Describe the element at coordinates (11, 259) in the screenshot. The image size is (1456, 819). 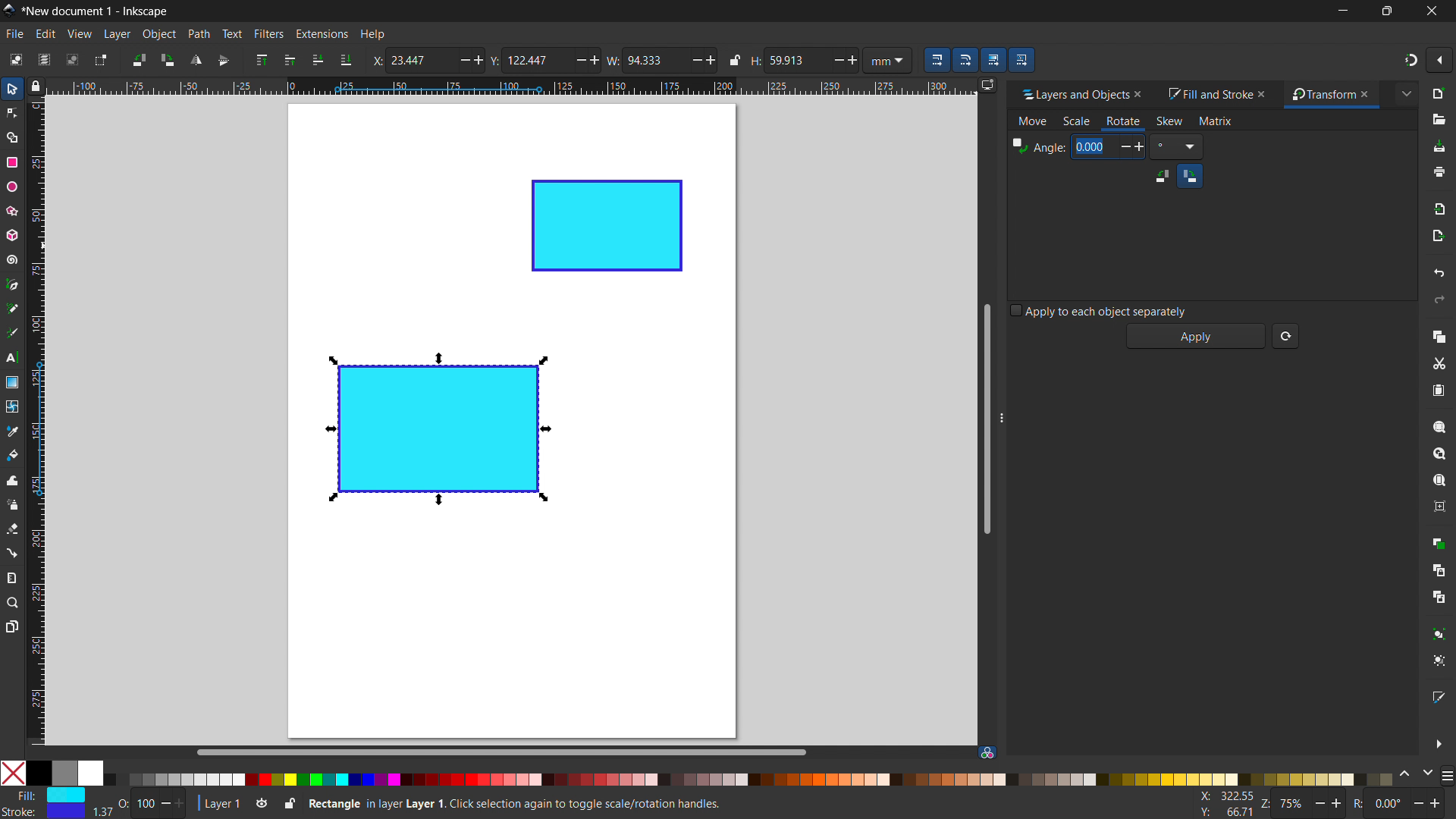
I see `spiral tool` at that location.